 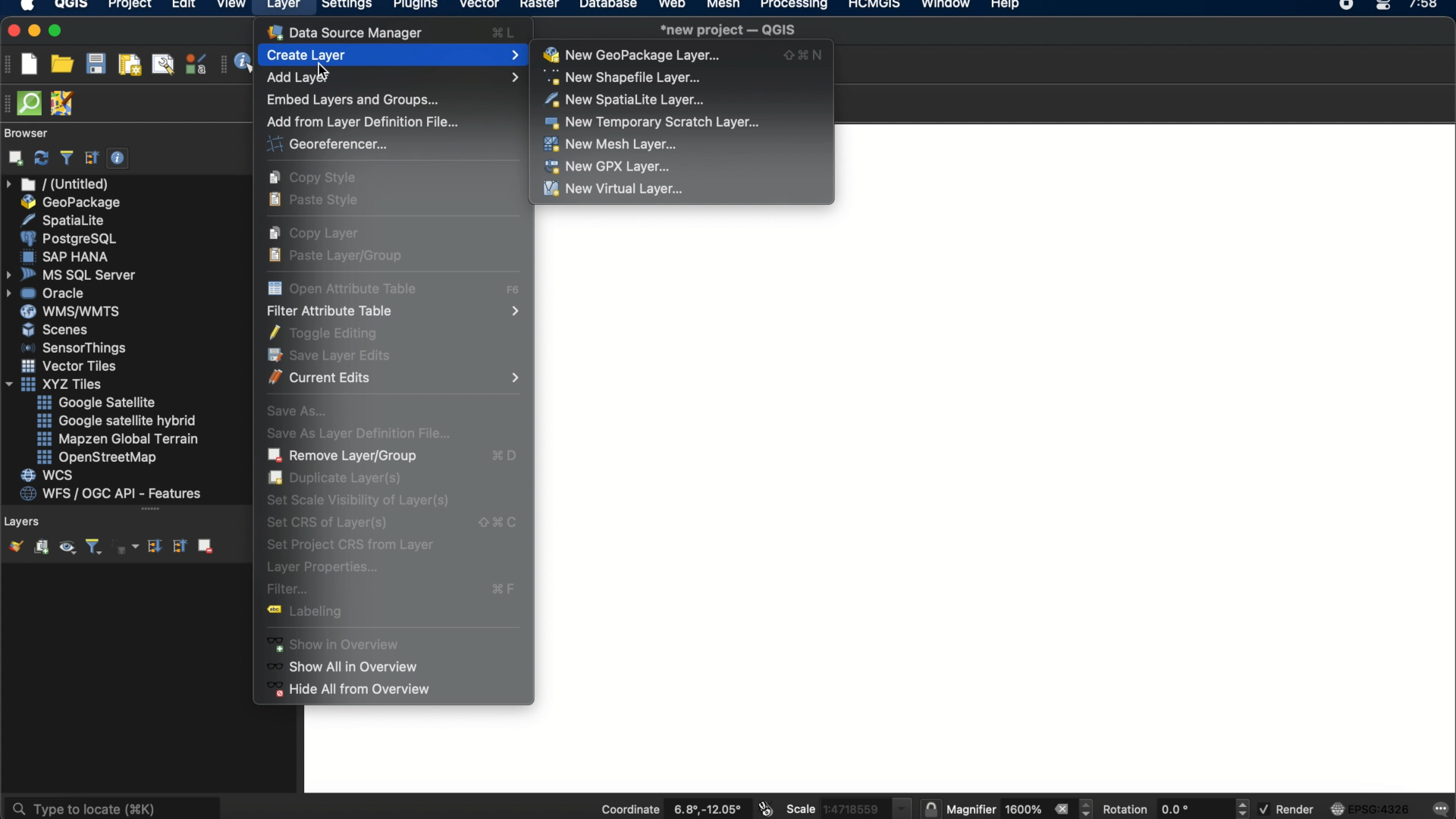 I want to click on collapse all, so click(x=92, y=158).